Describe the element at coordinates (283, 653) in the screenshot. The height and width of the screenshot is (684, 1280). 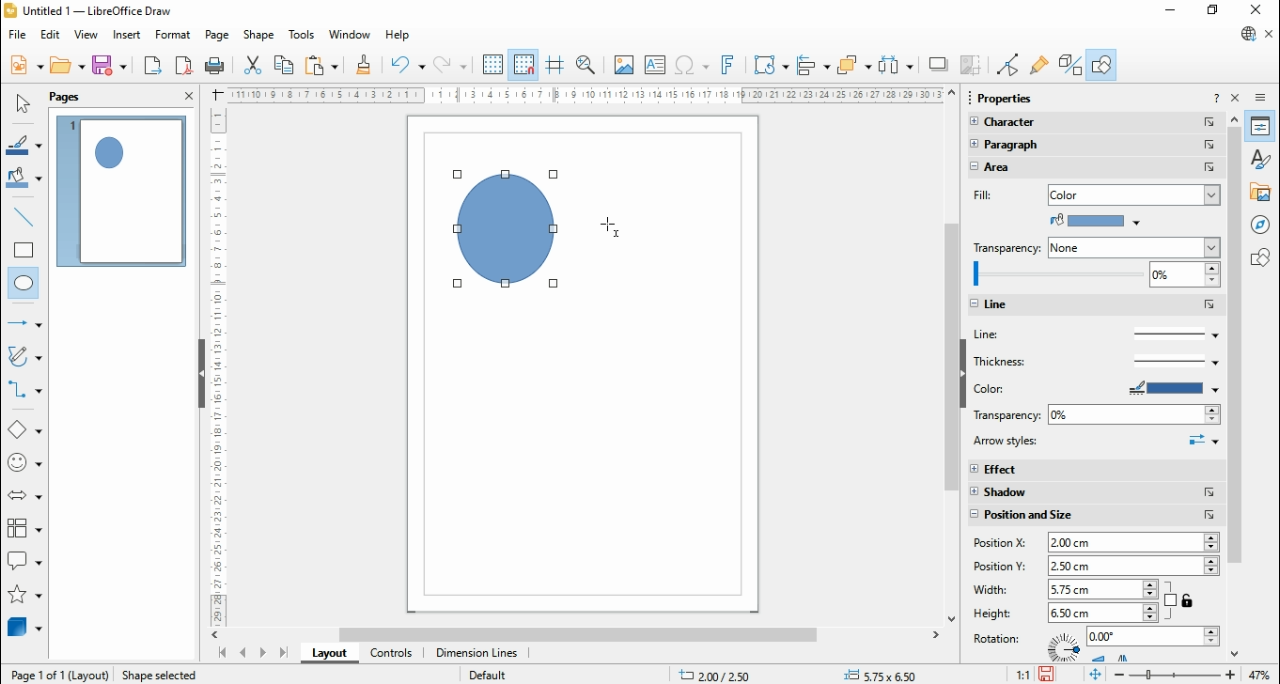
I see `last page` at that location.